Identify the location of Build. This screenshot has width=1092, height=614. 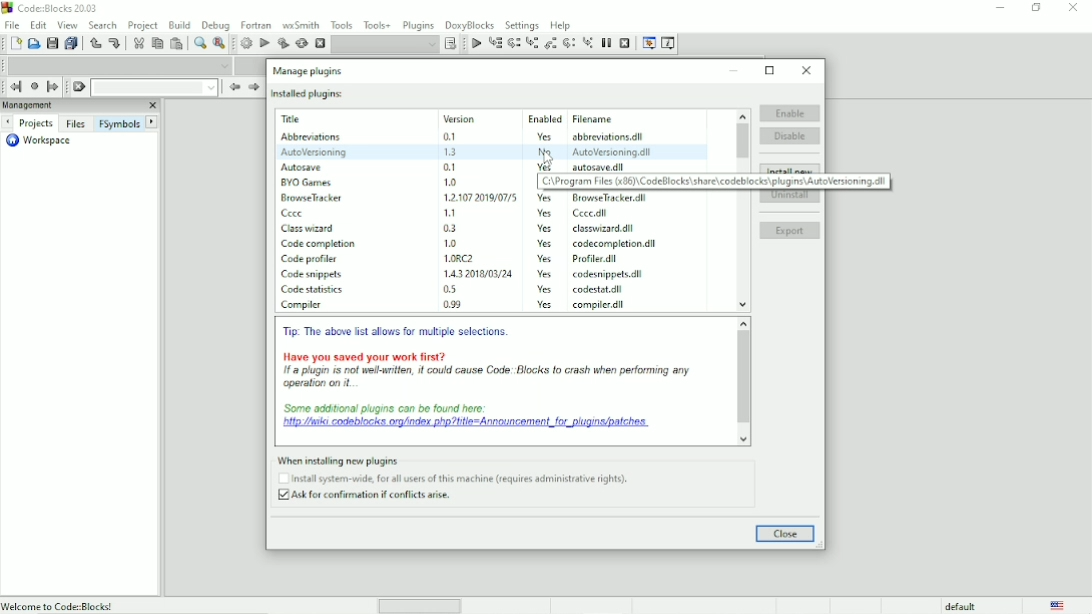
(179, 25).